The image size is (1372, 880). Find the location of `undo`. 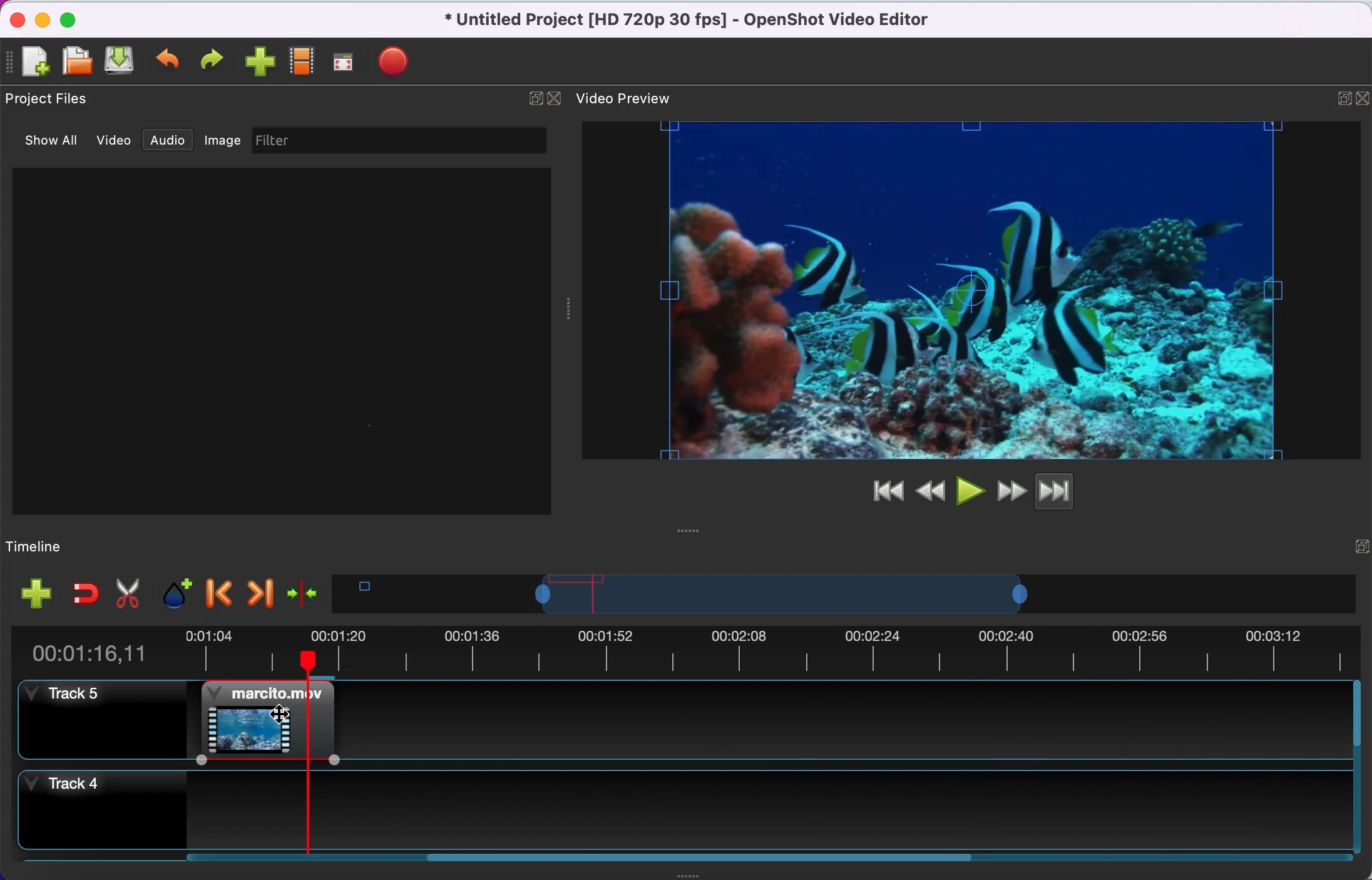

undo is located at coordinates (170, 62).